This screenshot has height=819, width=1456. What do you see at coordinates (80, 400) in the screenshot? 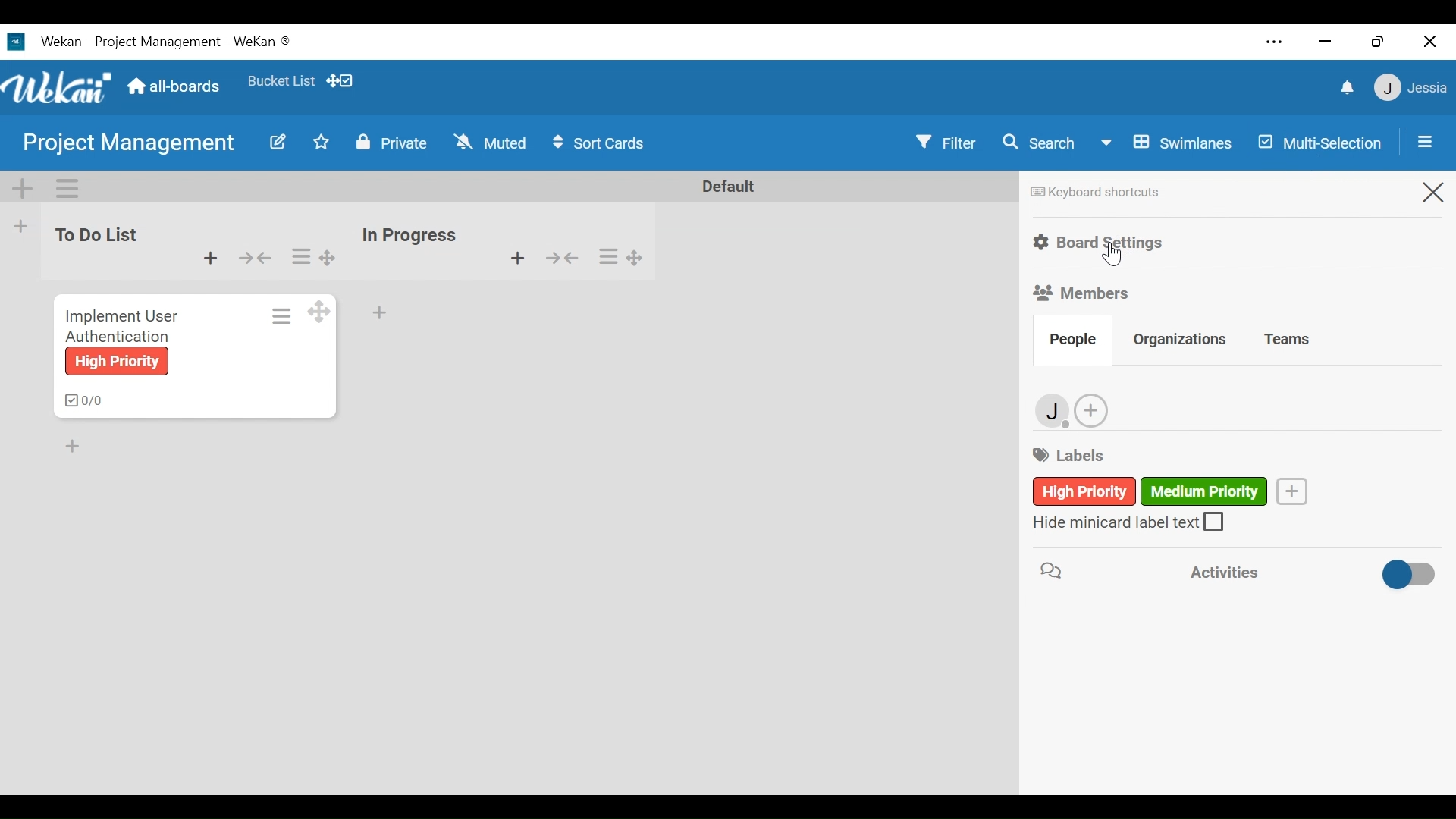
I see `checklist` at bounding box center [80, 400].